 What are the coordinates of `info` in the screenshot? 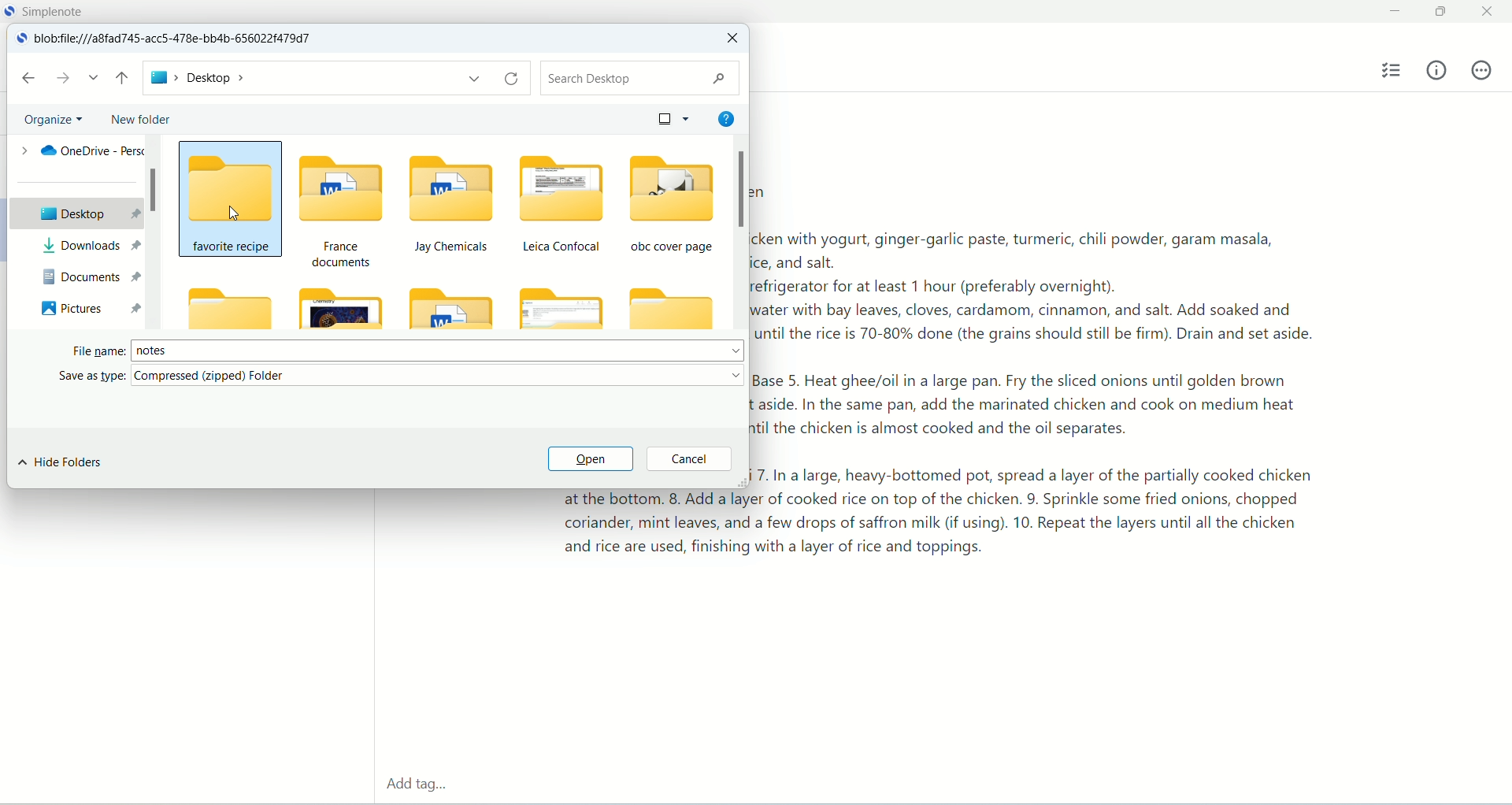 It's located at (1437, 69).